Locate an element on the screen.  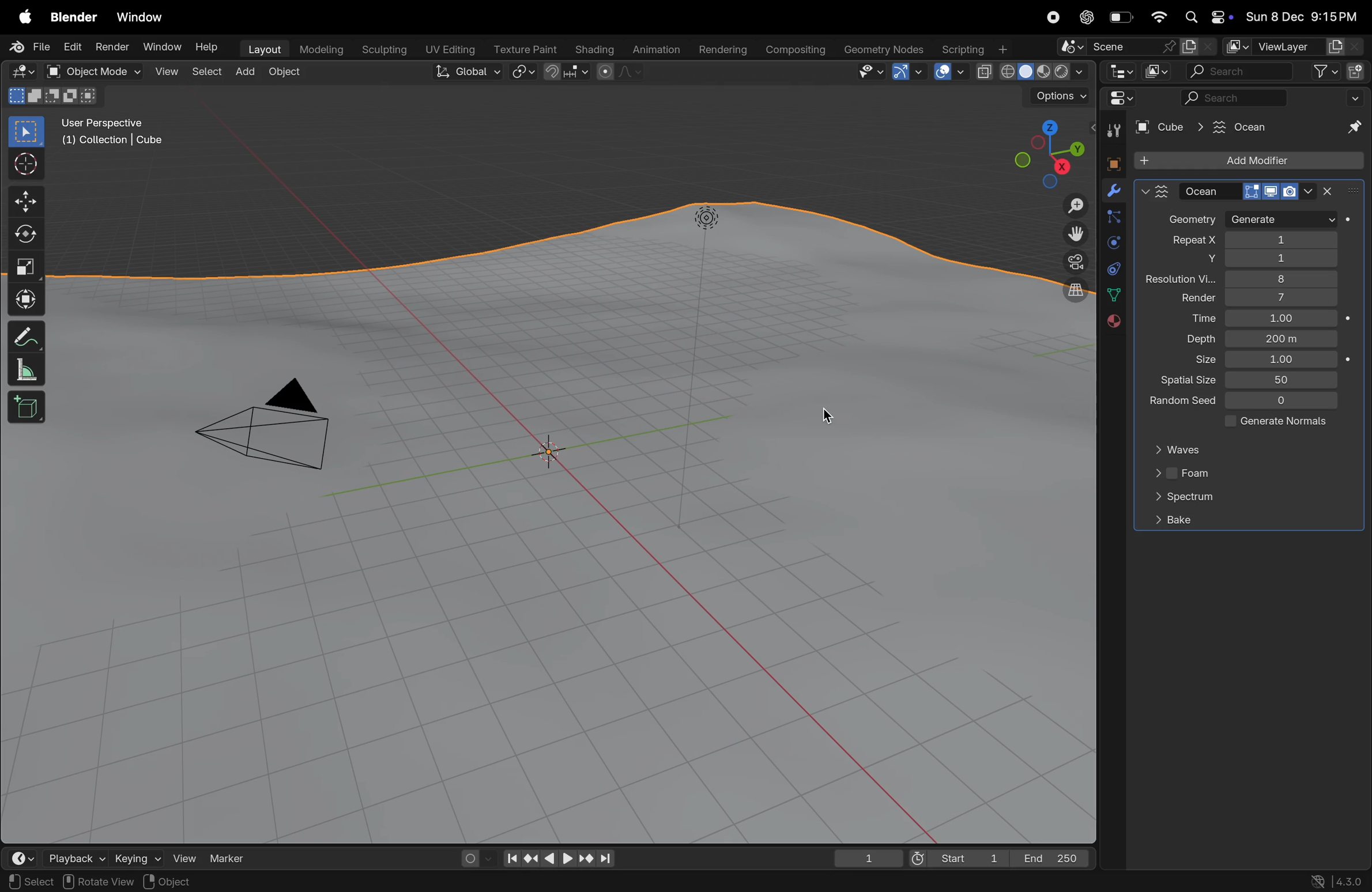
render is located at coordinates (1188, 299).